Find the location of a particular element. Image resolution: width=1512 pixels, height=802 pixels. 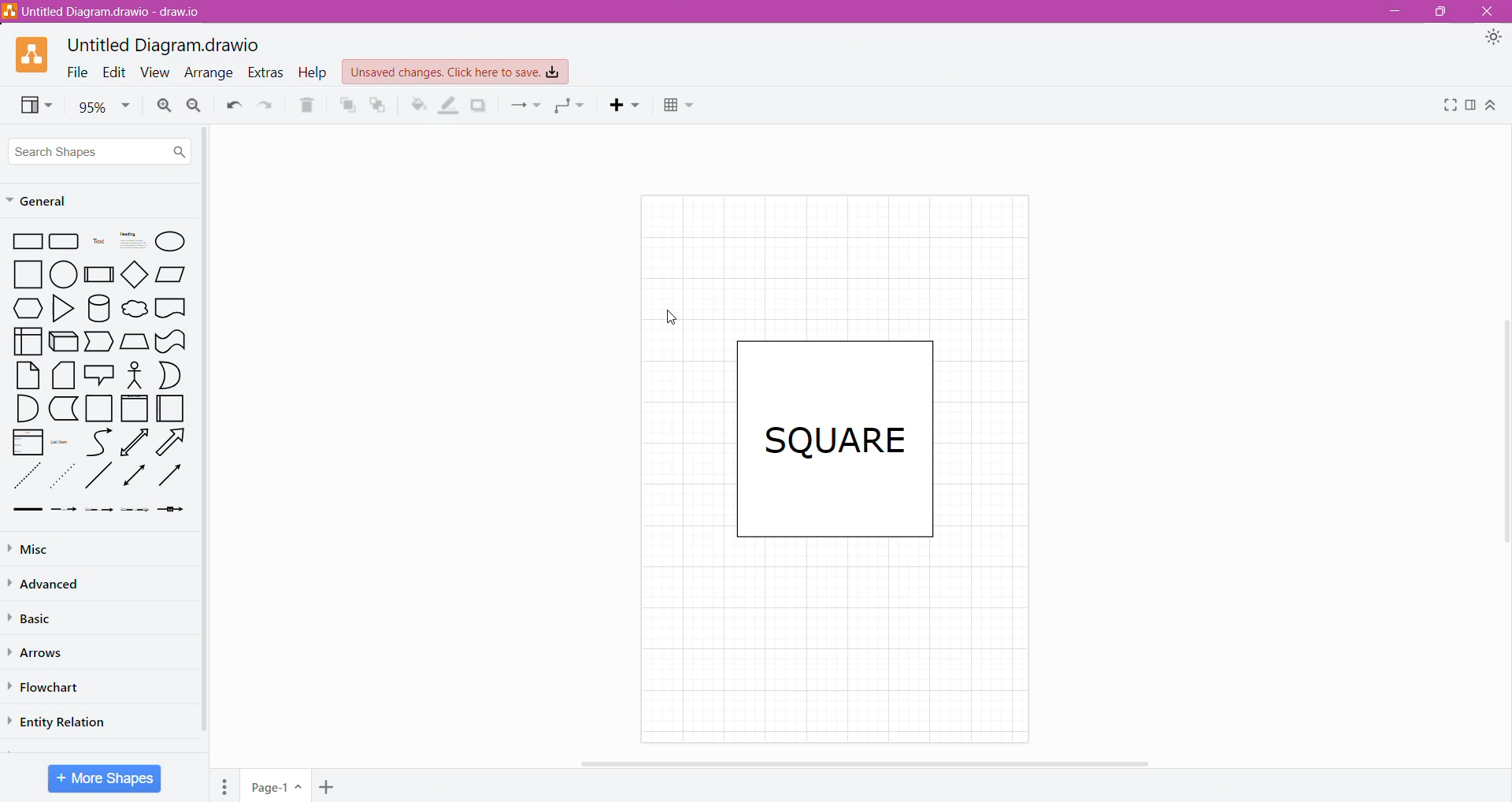

To Back is located at coordinates (379, 105).